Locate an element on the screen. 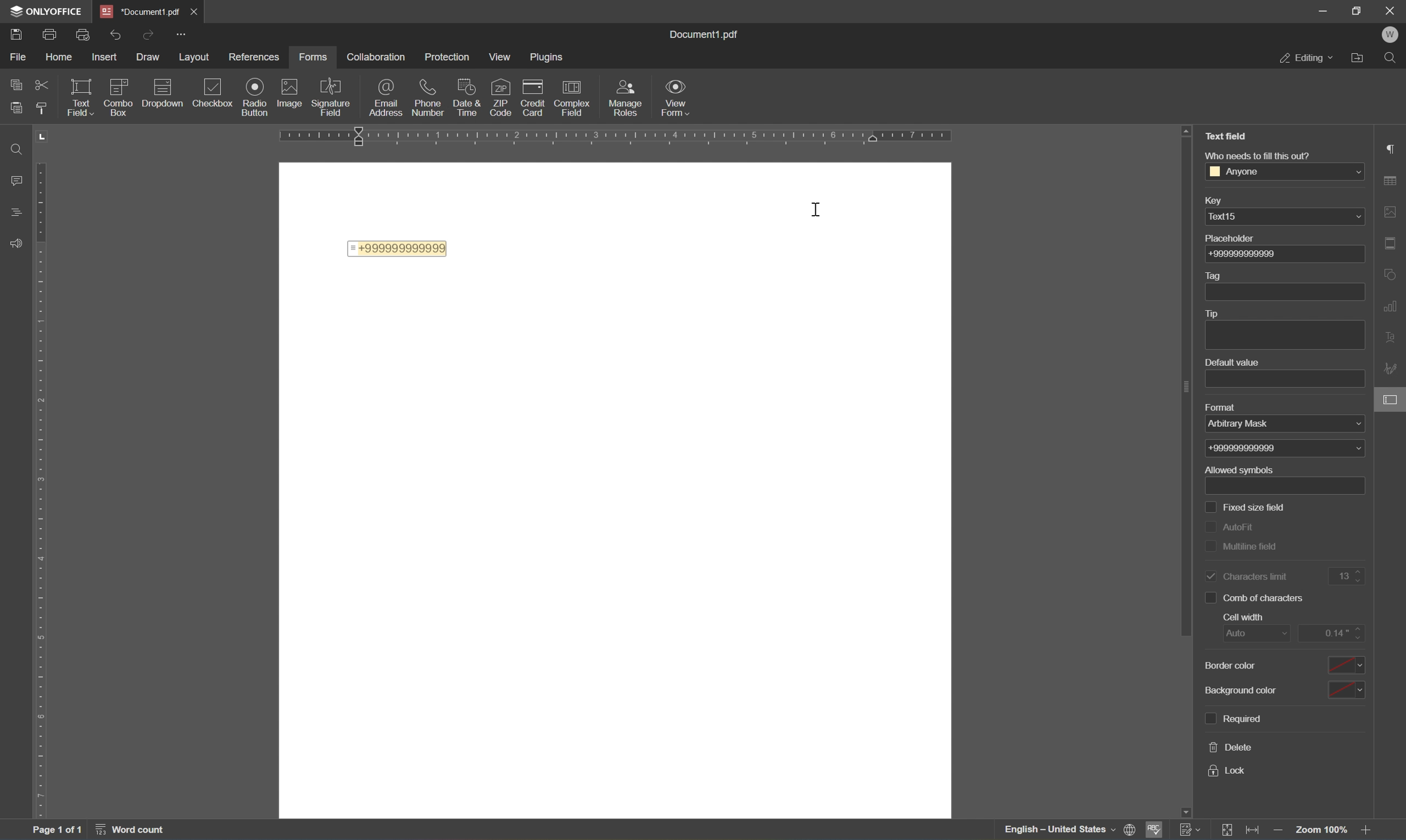 The image size is (1406, 840). headings is located at coordinates (14, 210).